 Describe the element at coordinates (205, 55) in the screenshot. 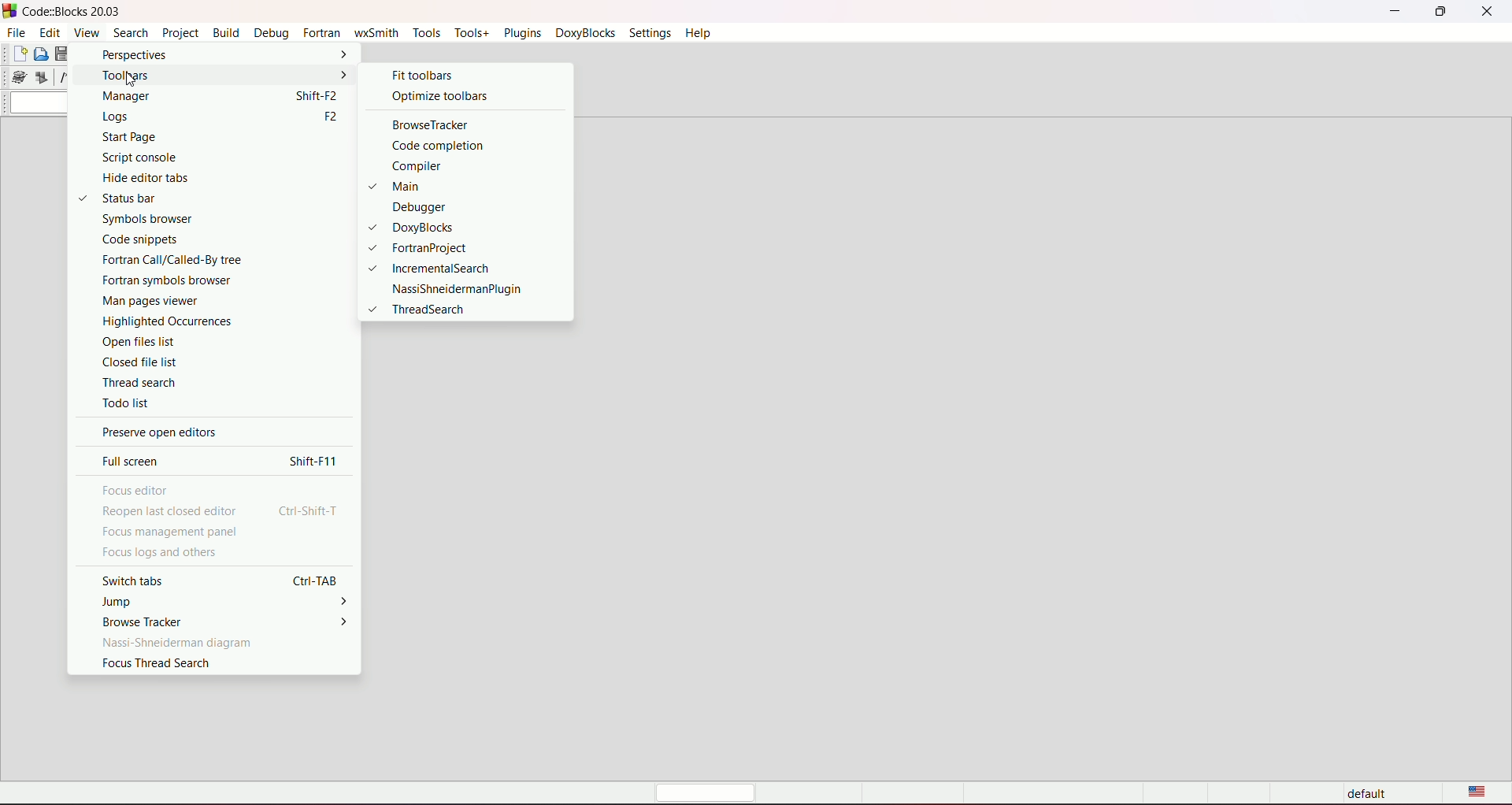

I see `perspectives` at that location.